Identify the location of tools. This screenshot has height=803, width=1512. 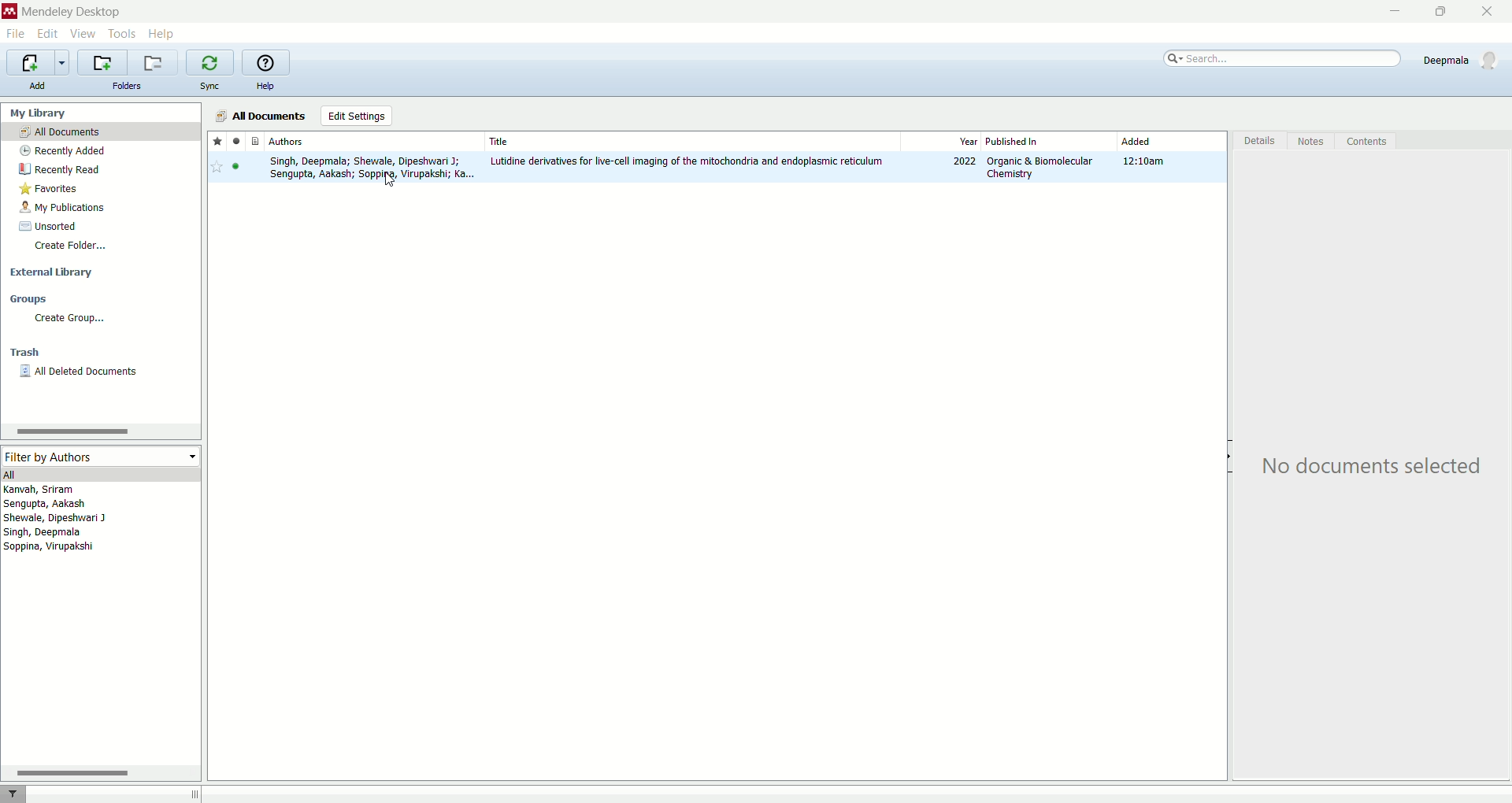
(122, 33).